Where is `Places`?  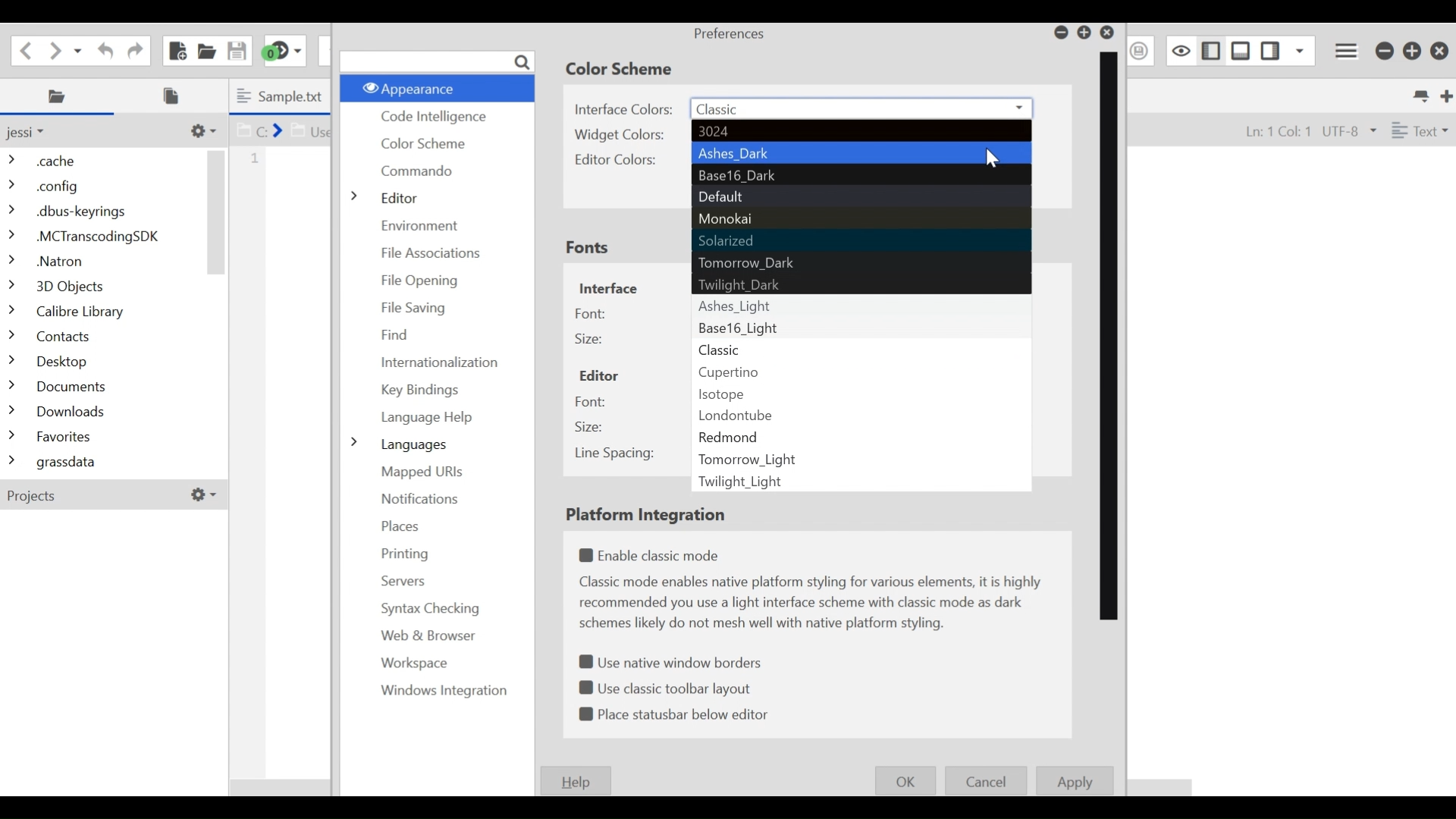 Places is located at coordinates (401, 526).